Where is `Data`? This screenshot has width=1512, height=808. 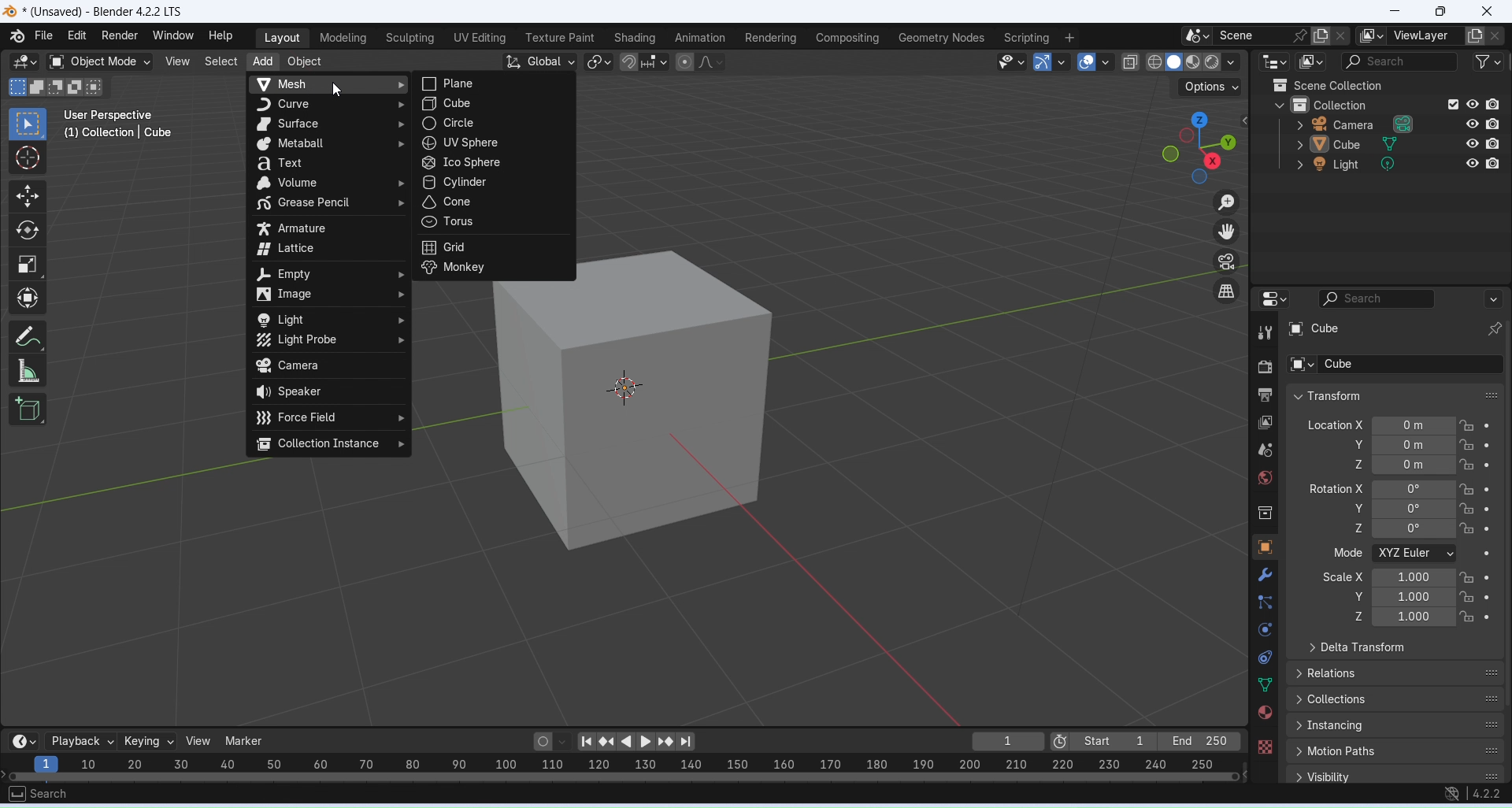
Data is located at coordinates (1266, 685).